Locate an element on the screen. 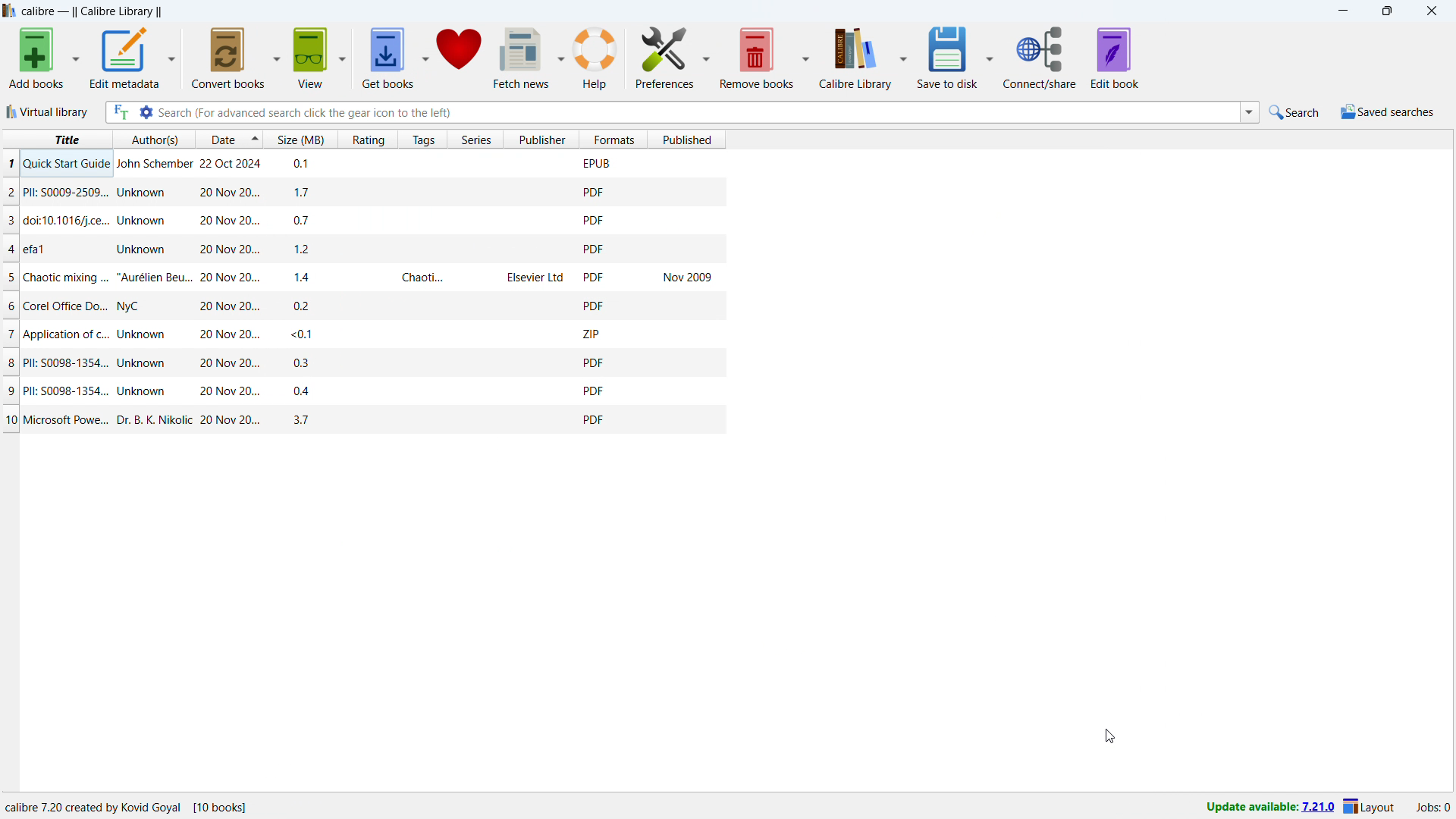 Image resolution: width=1456 pixels, height=819 pixels. view options is located at coordinates (342, 57).